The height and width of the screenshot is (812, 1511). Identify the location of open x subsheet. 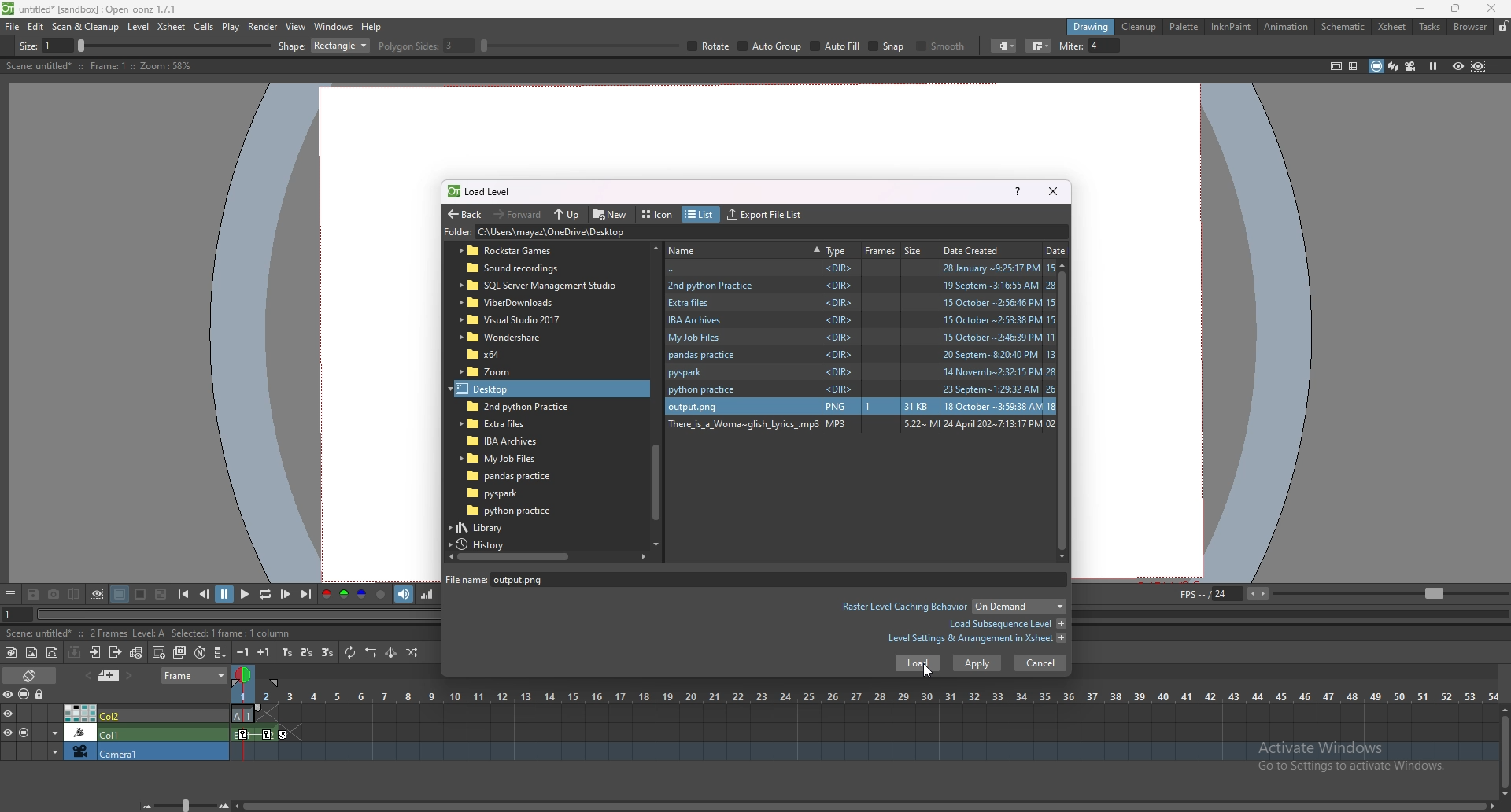
(95, 652).